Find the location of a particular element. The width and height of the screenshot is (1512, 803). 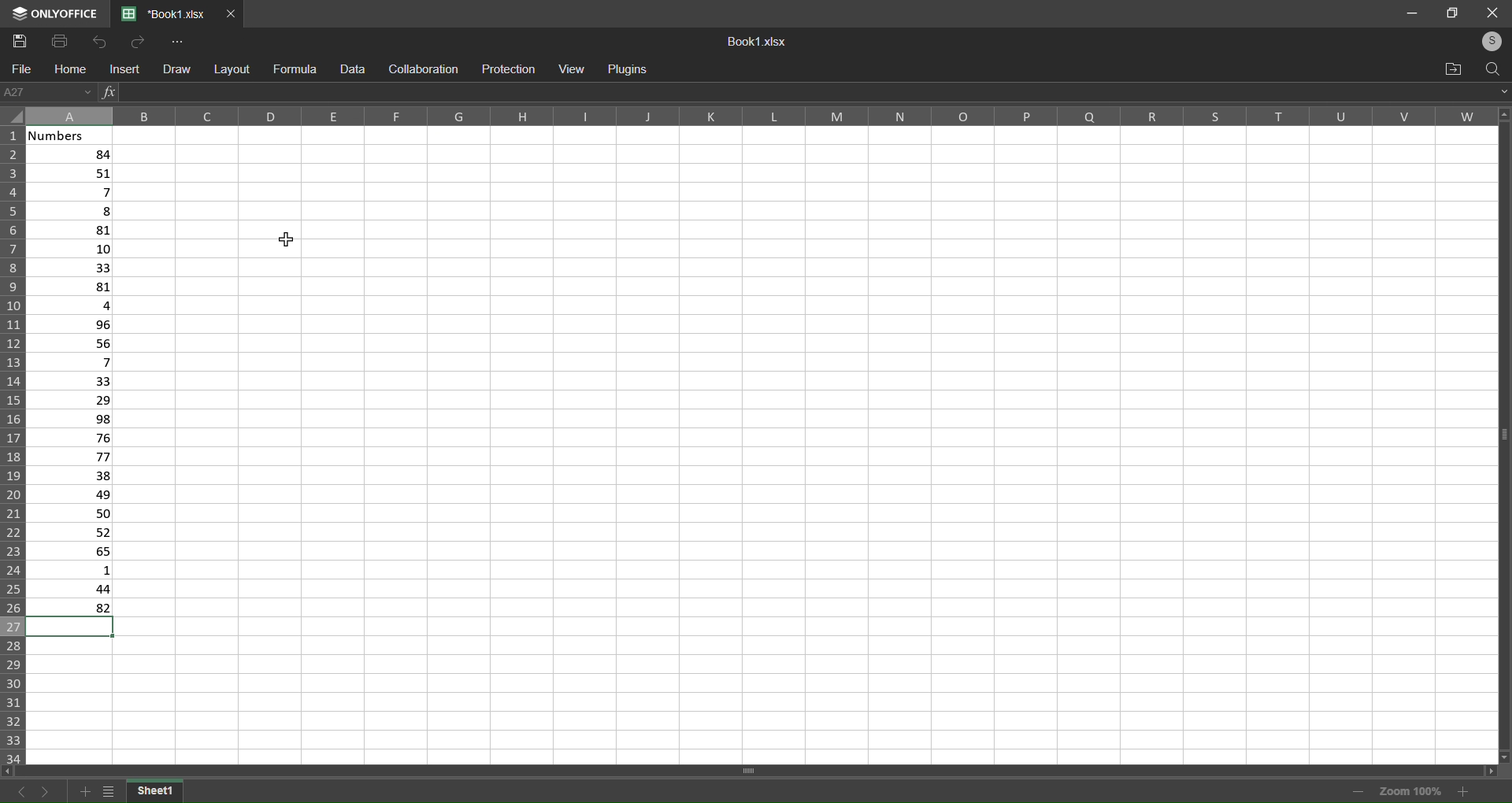

previous is located at coordinates (15, 789).